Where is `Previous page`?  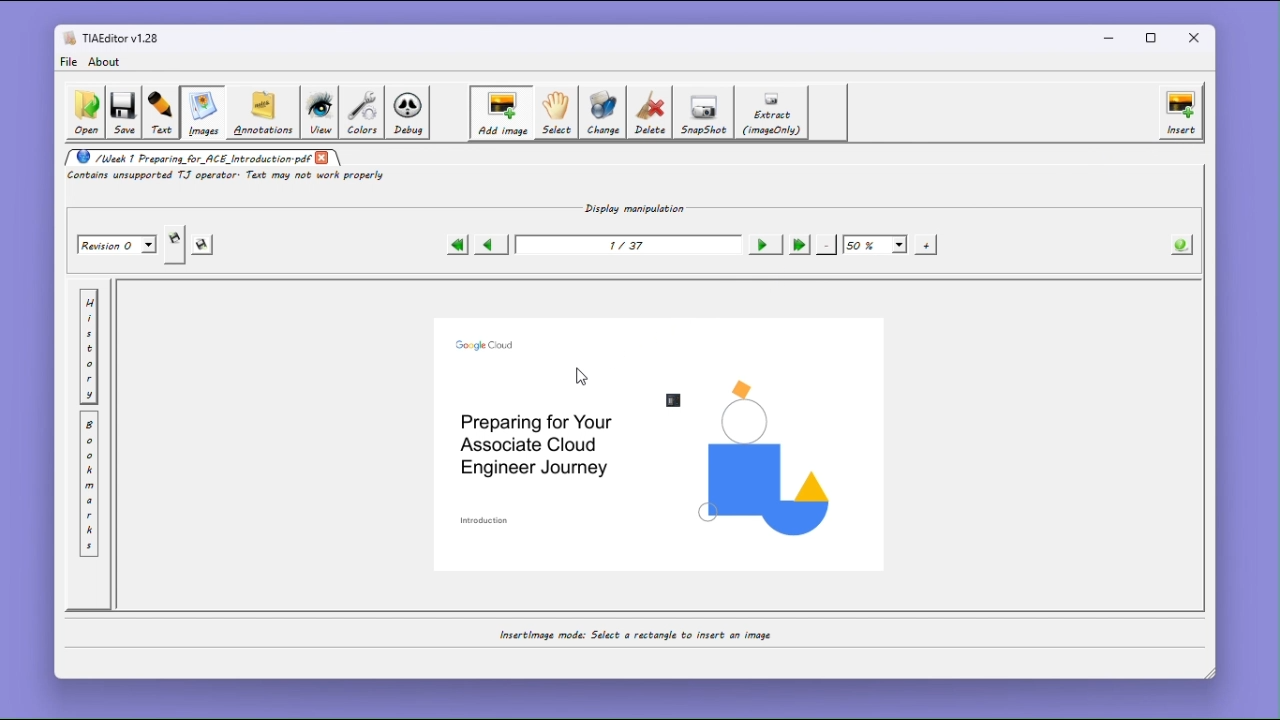
Previous page is located at coordinates (489, 244).